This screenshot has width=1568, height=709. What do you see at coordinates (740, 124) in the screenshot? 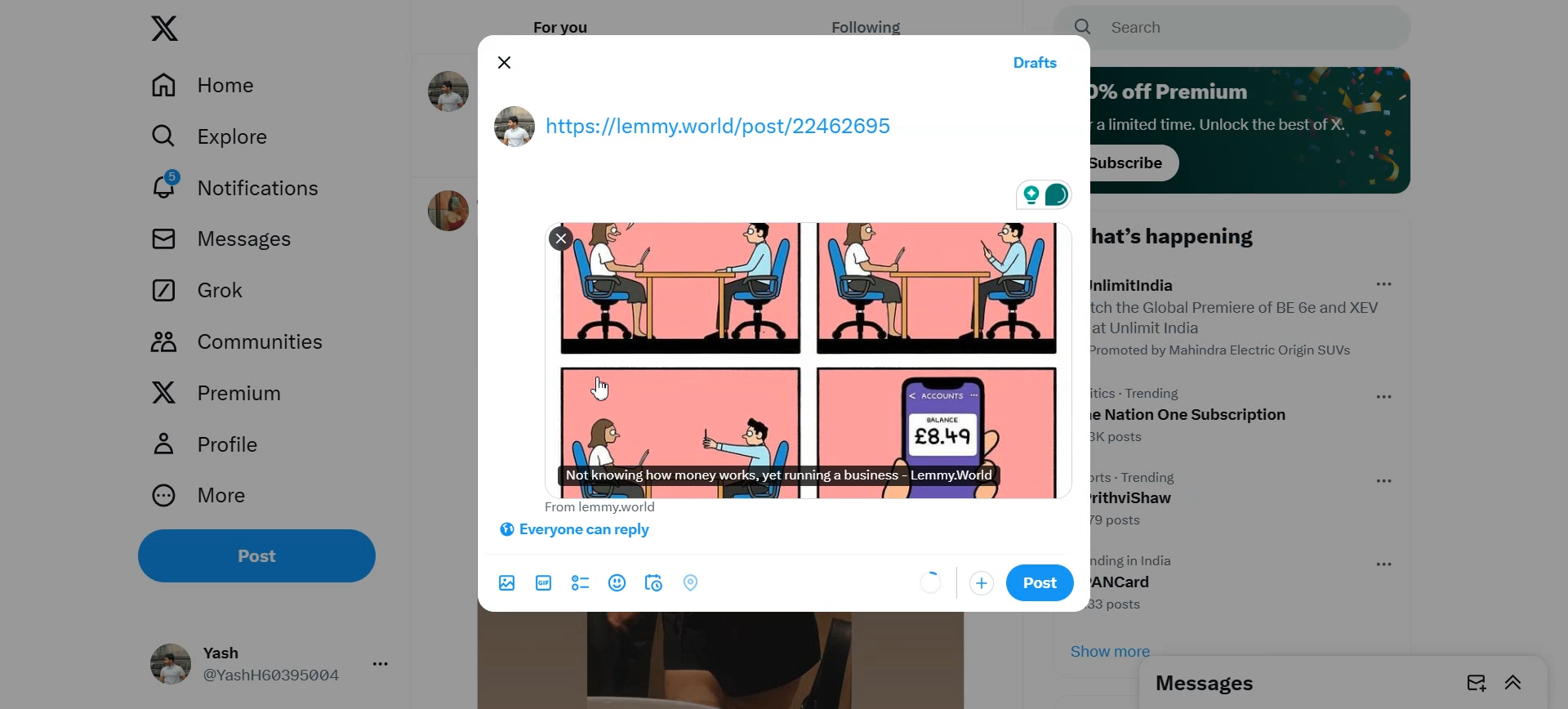
I see `Hyperlink` at bounding box center [740, 124].